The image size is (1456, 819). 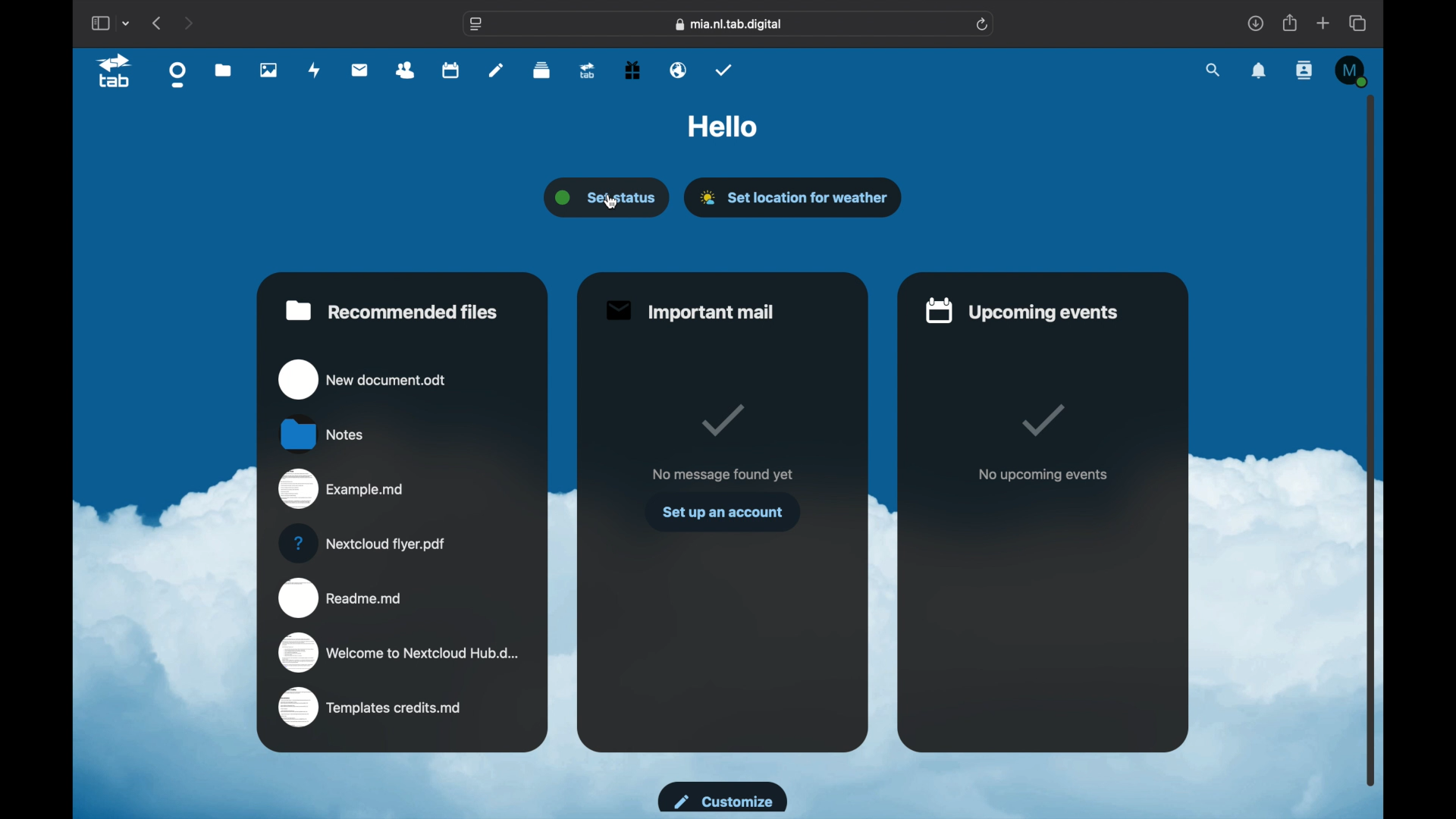 I want to click on tab, so click(x=115, y=73).